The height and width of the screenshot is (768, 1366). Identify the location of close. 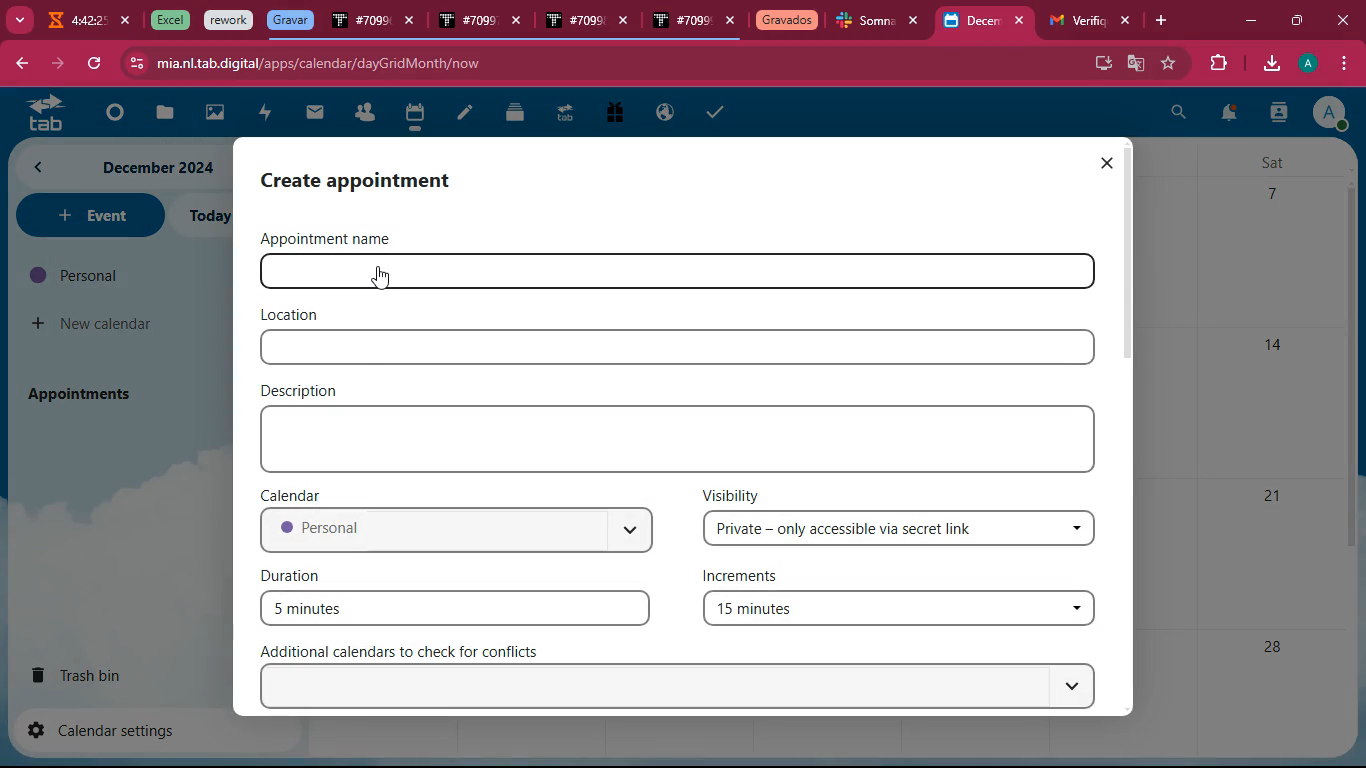
(127, 21).